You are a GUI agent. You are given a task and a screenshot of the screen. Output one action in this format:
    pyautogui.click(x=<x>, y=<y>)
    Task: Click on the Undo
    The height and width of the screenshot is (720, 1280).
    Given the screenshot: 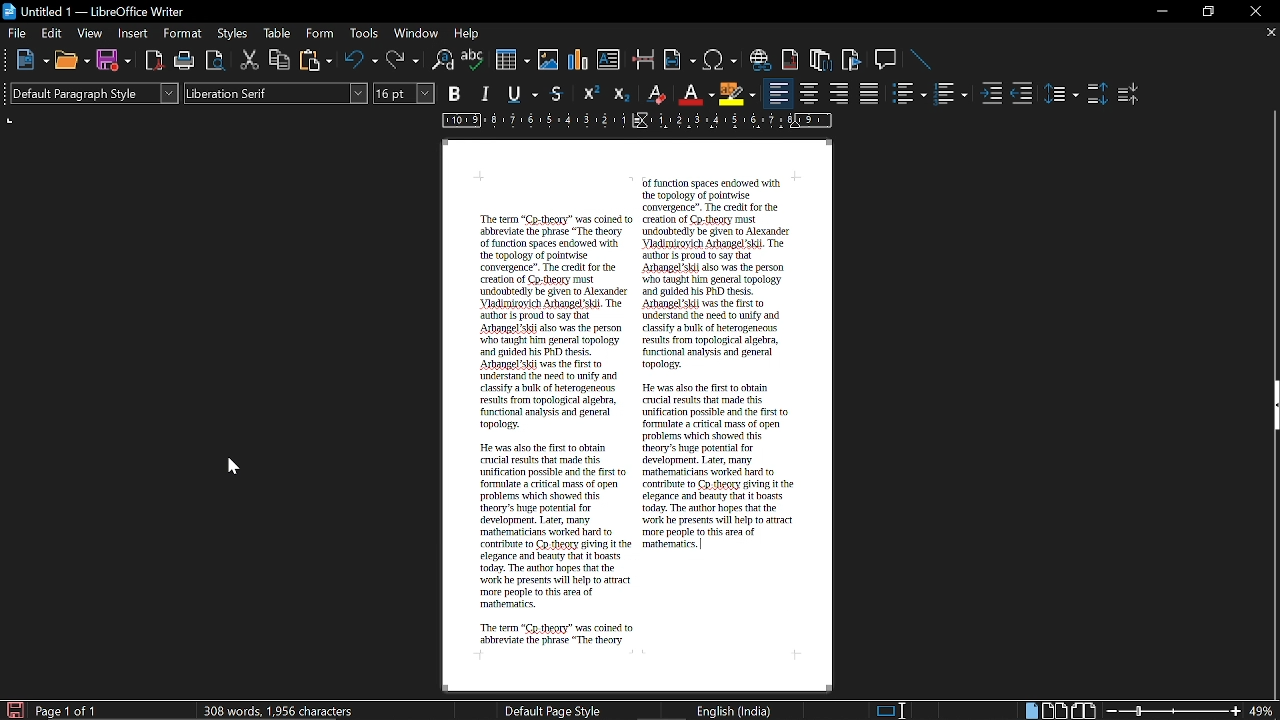 What is the action you would take?
    pyautogui.click(x=362, y=60)
    